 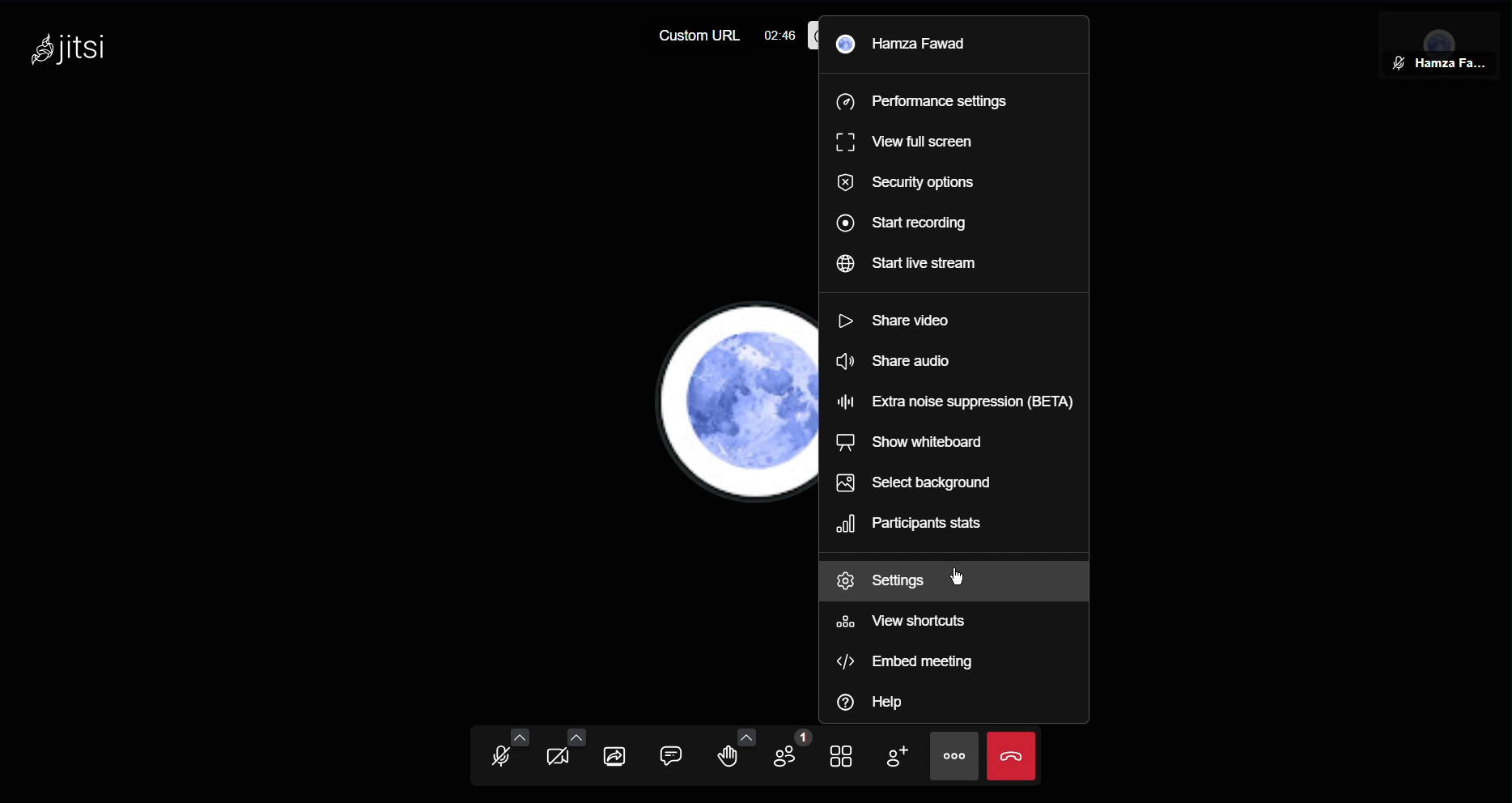 What do you see at coordinates (958, 755) in the screenshot?
I see `More` at bounding box center [958, 755].